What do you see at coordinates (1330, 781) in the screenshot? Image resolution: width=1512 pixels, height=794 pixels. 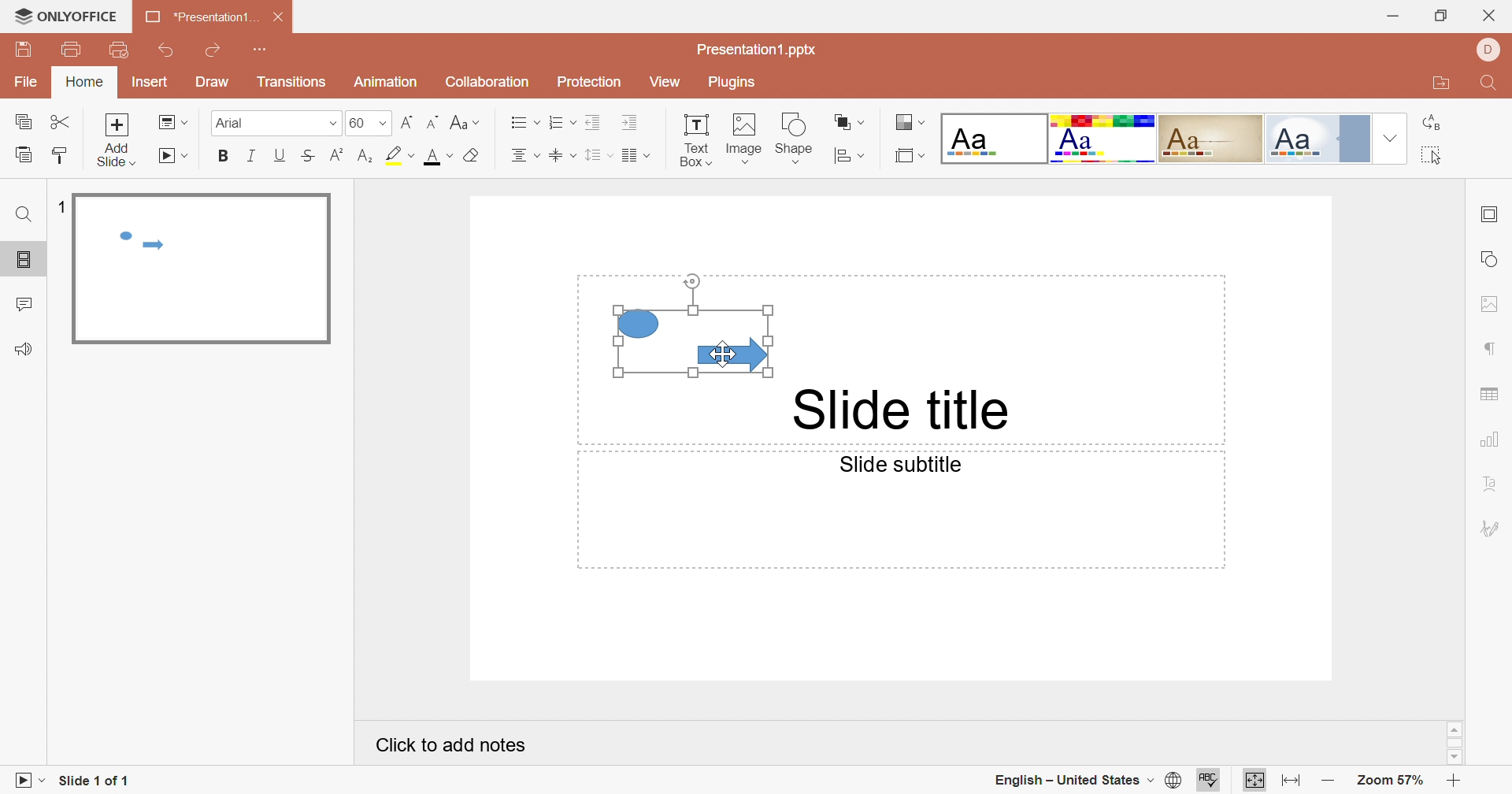 I see `Zoom out` at bounding box center [1330, 781].